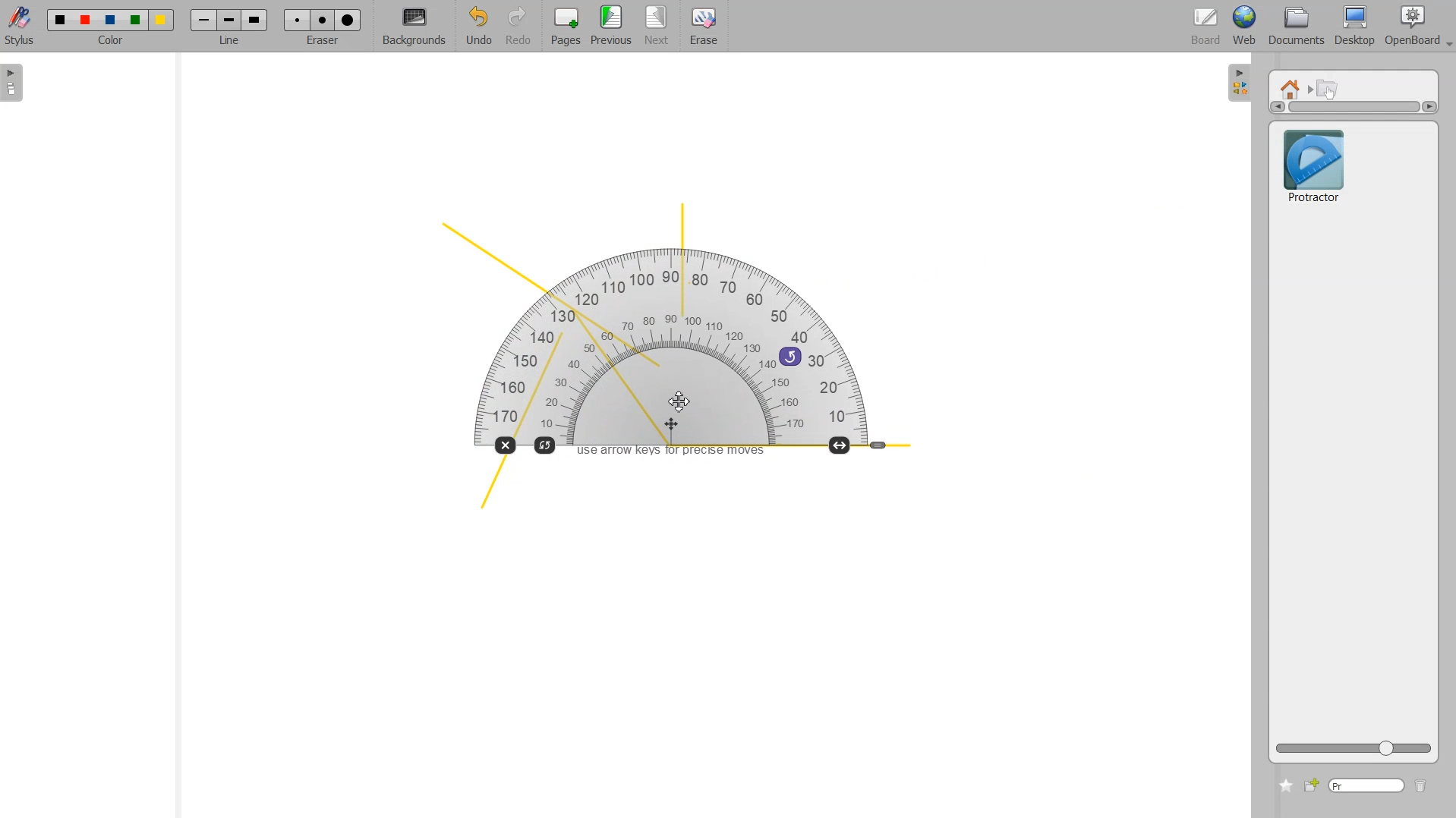 Image resolution: width=1456 pixels, height=818 pixels. Describe the element at coordinates (518, 27) in the screenshot. I see `Redo` at that location.